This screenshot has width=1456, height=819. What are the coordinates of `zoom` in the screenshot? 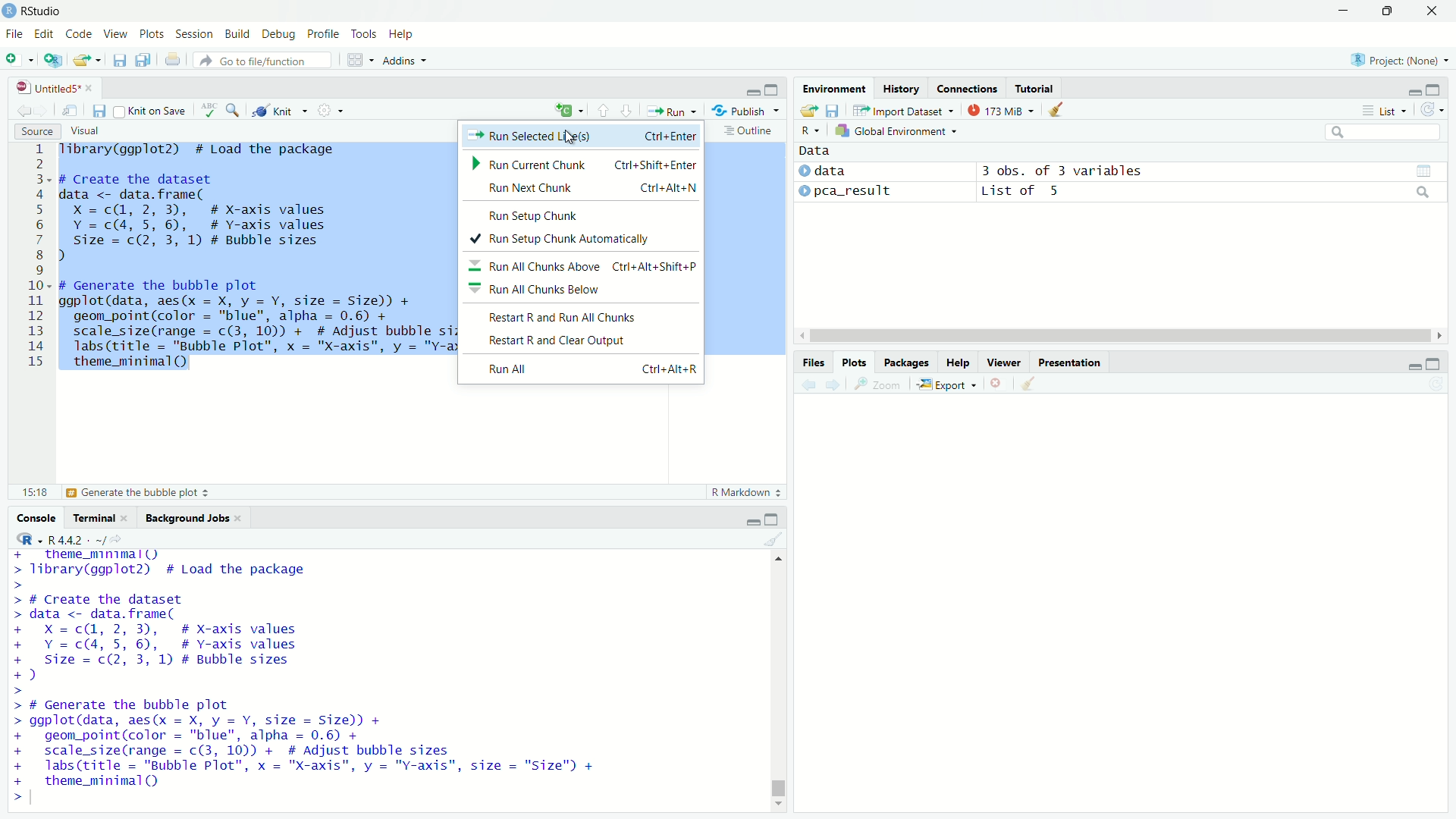 It's located at (879, 385).